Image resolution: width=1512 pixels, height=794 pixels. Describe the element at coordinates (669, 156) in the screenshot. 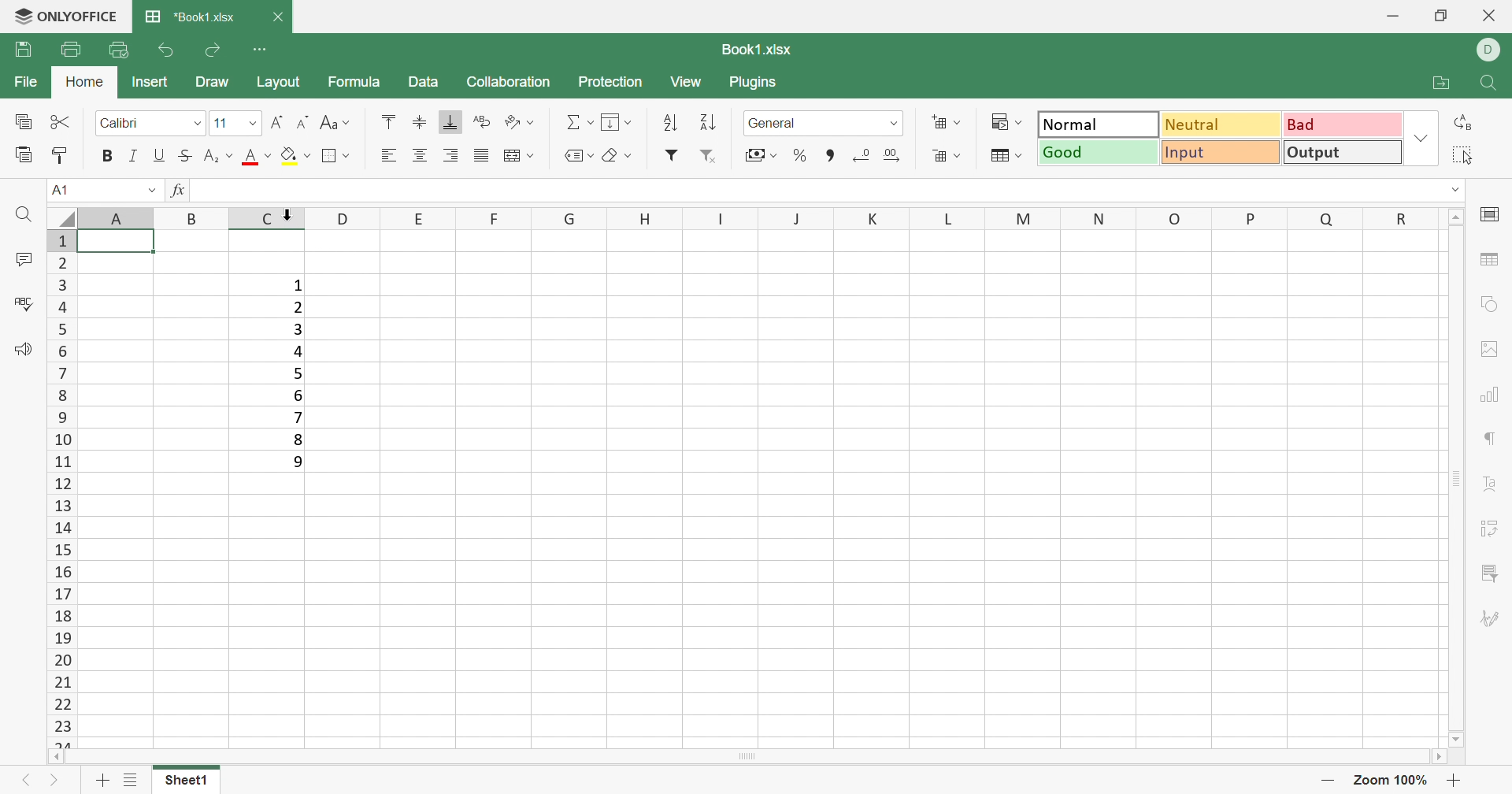

I see `Filter` at that location.